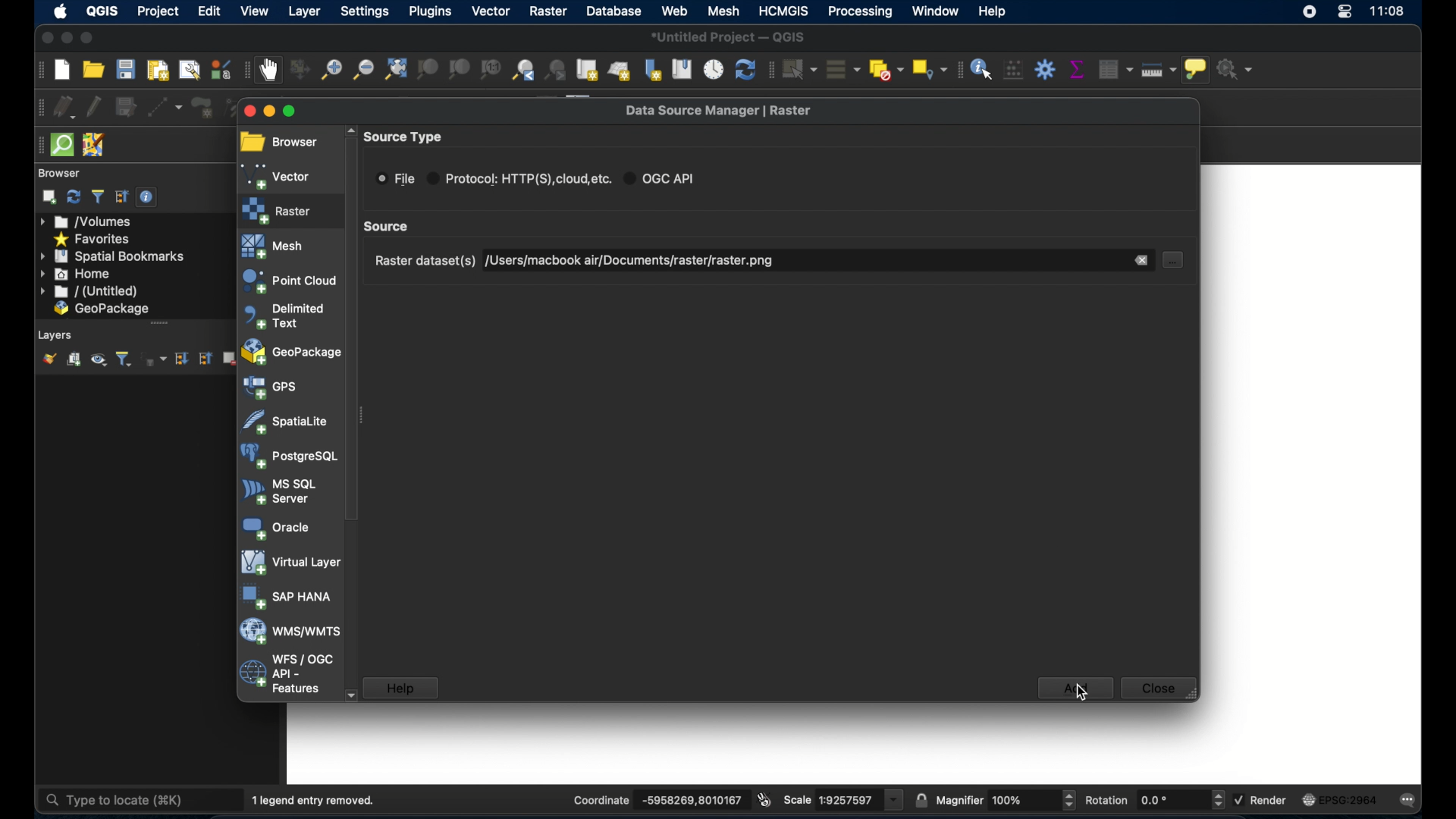 This screenshot has width=1456, height=819. What do you see at coordinates (74, 197) in the screenshot?
I see `refresh` at bounding box center [74, 197].